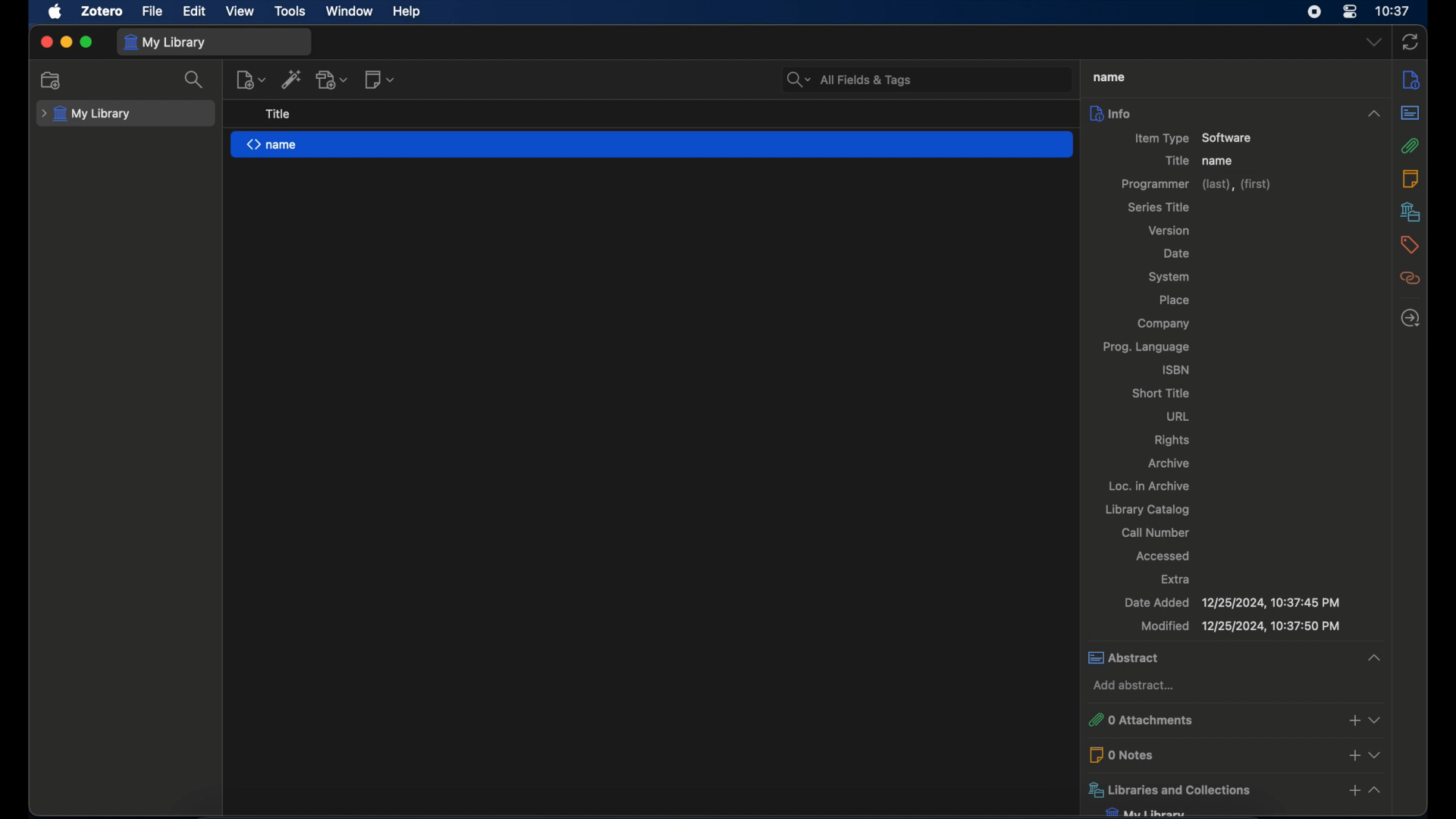 The image size is (1456, 819). What do you see at coordinates (167, 43) in the screenshot?
I see `my library` at bounding box center [167, 43].